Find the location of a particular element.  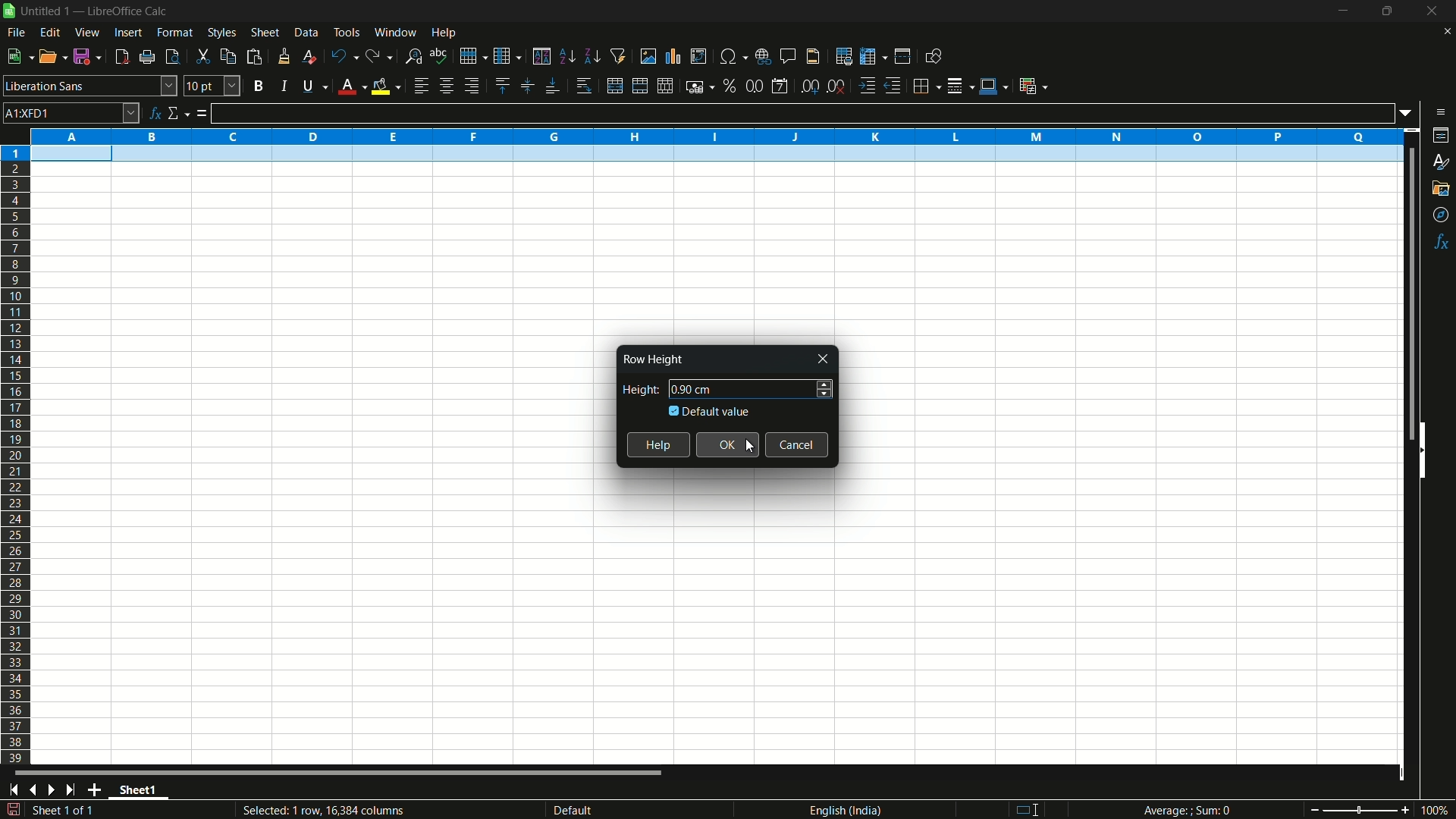

scroll bar is located at coordinates (340, 775).